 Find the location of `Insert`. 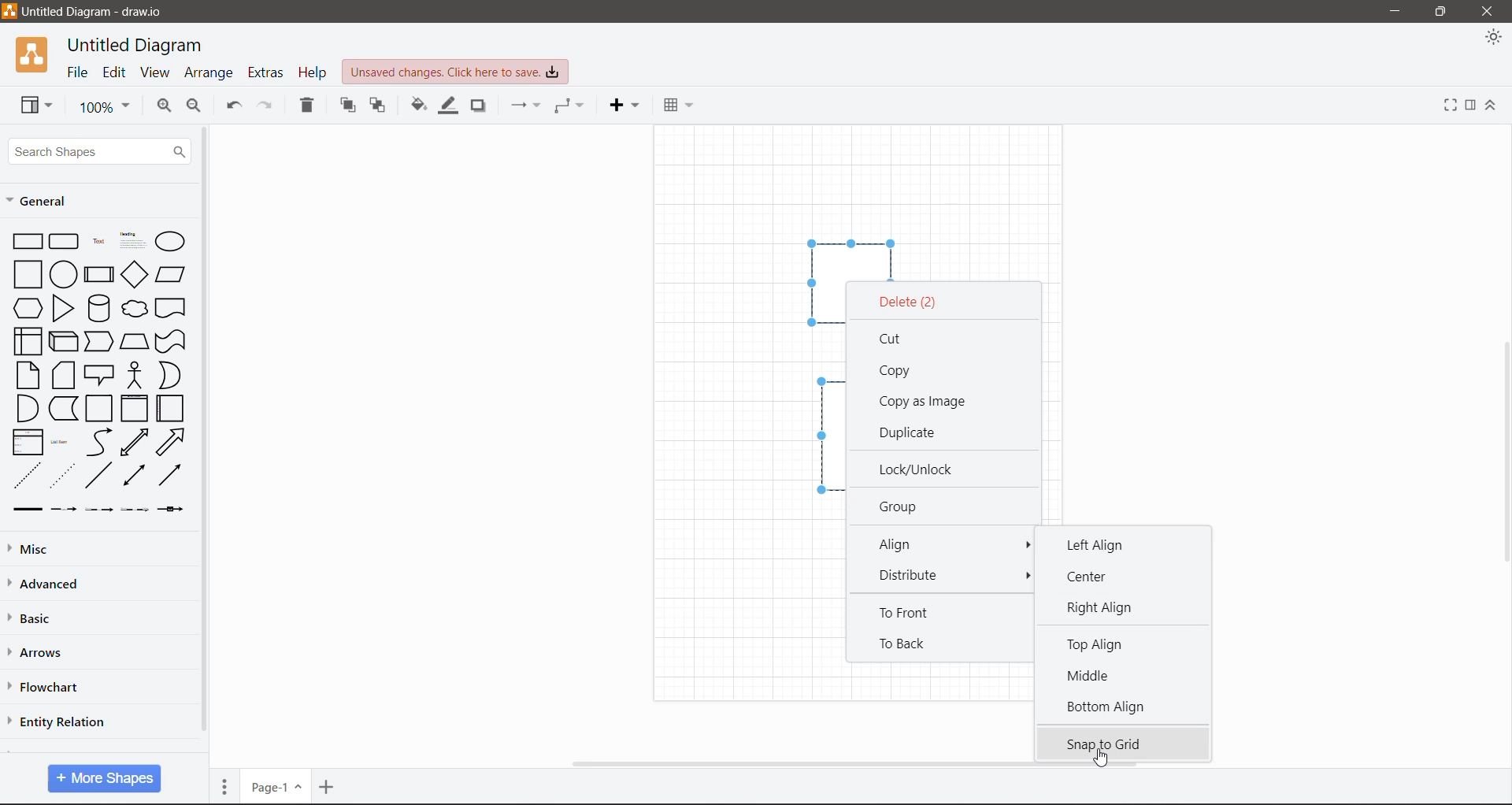

Insert is located at coordinates (624, 106).